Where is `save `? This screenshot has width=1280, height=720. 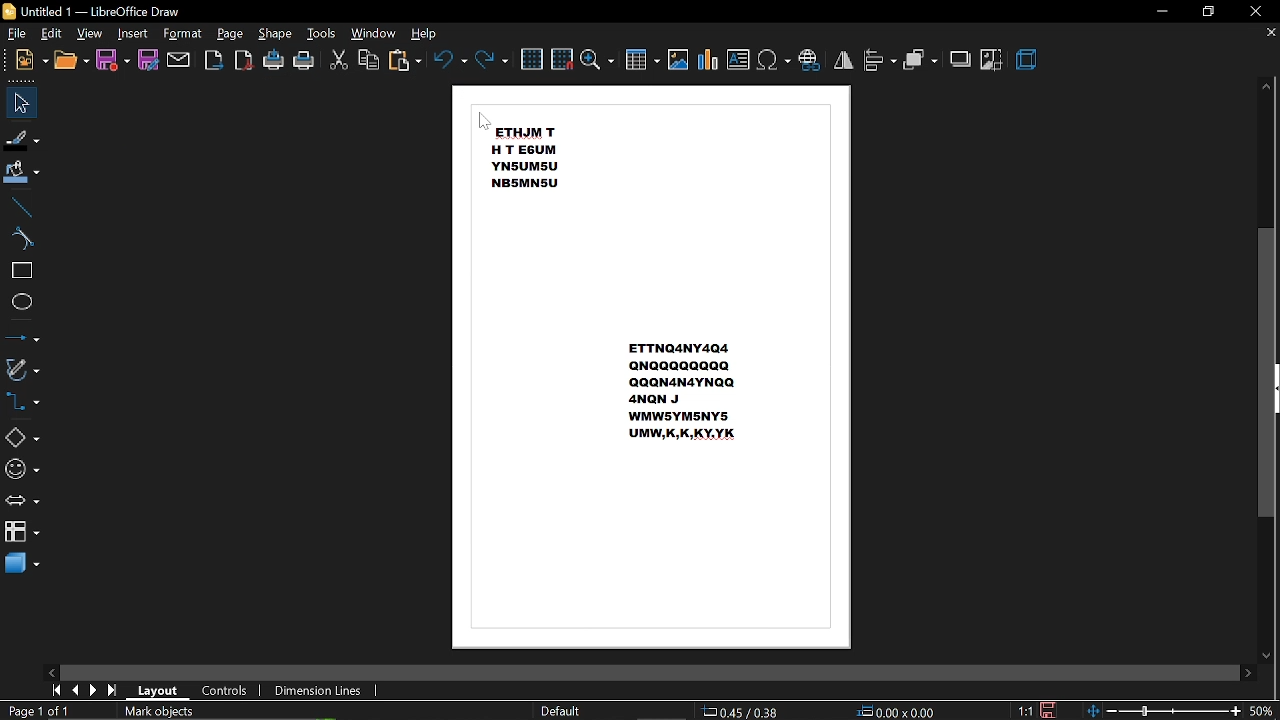 save  is located at coordinates (113, 61).